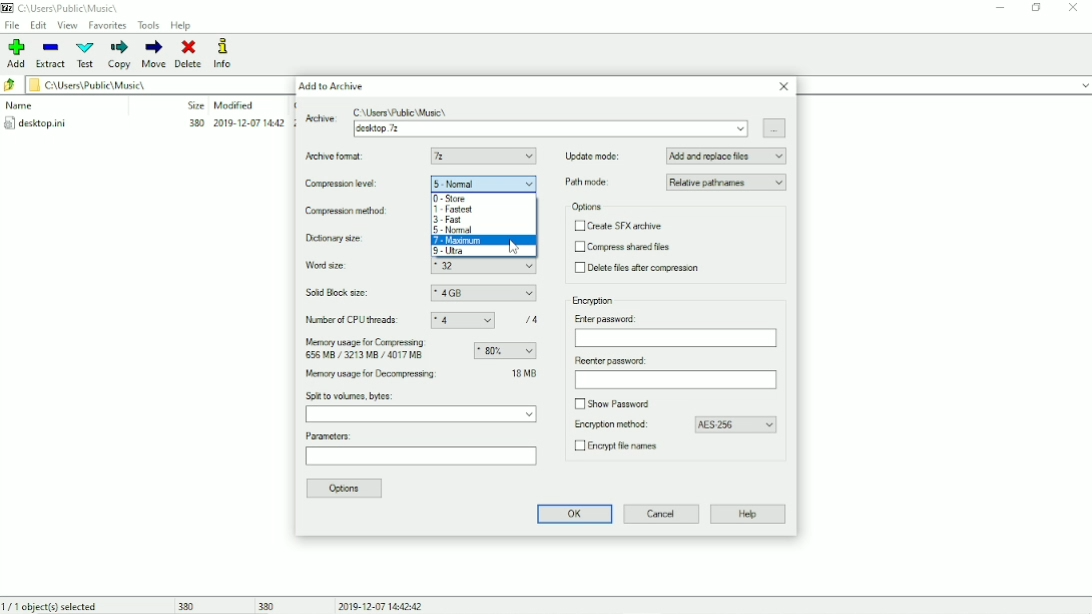 Image resolution: width=1092 pixels, height=614 pixels. Describe the element at coordinates (14, 54) in the screenshot. I see `Add` at that location.